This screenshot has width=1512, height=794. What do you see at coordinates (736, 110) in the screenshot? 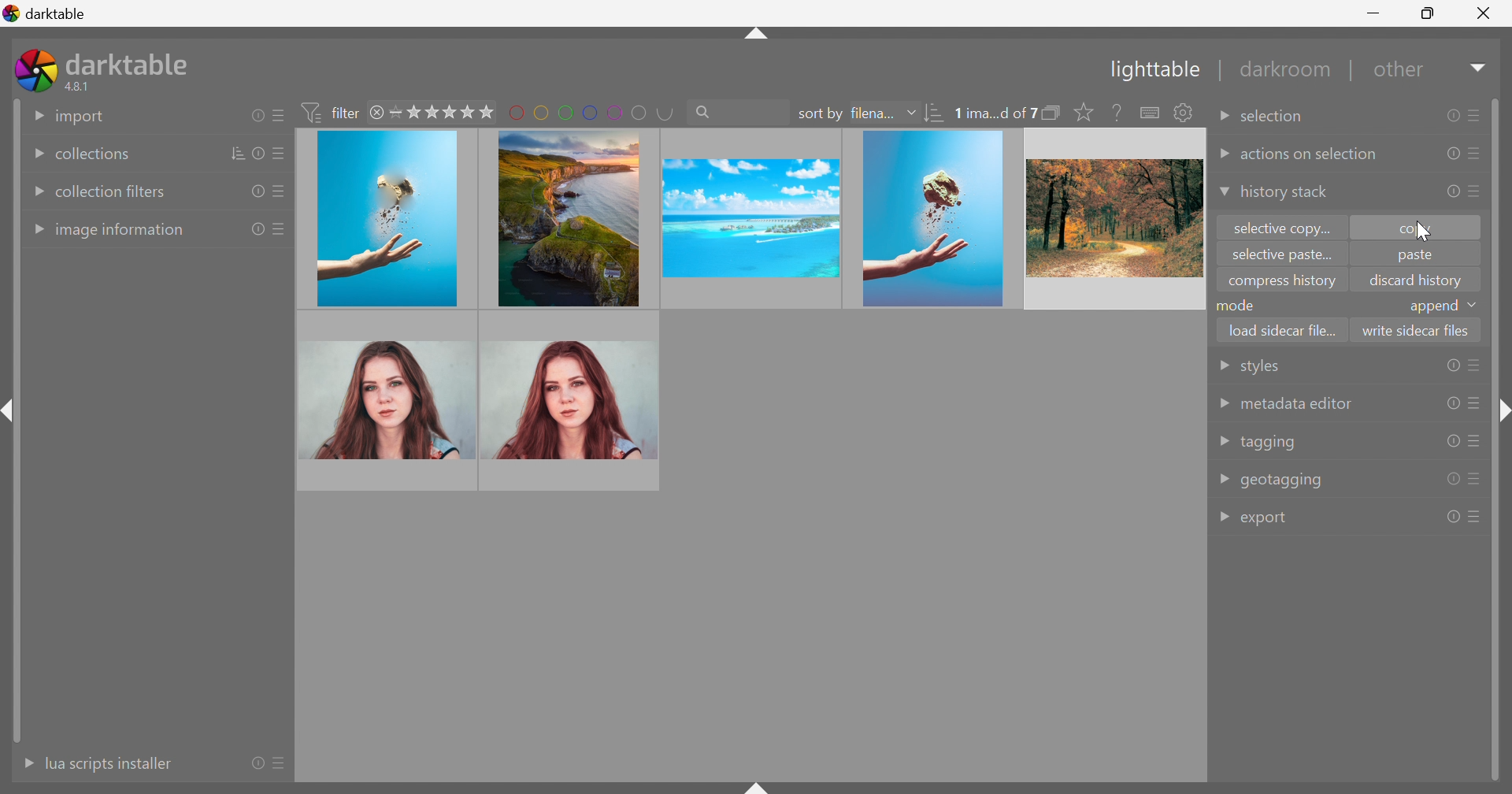
I see `search` at bounding box center [736, 110].